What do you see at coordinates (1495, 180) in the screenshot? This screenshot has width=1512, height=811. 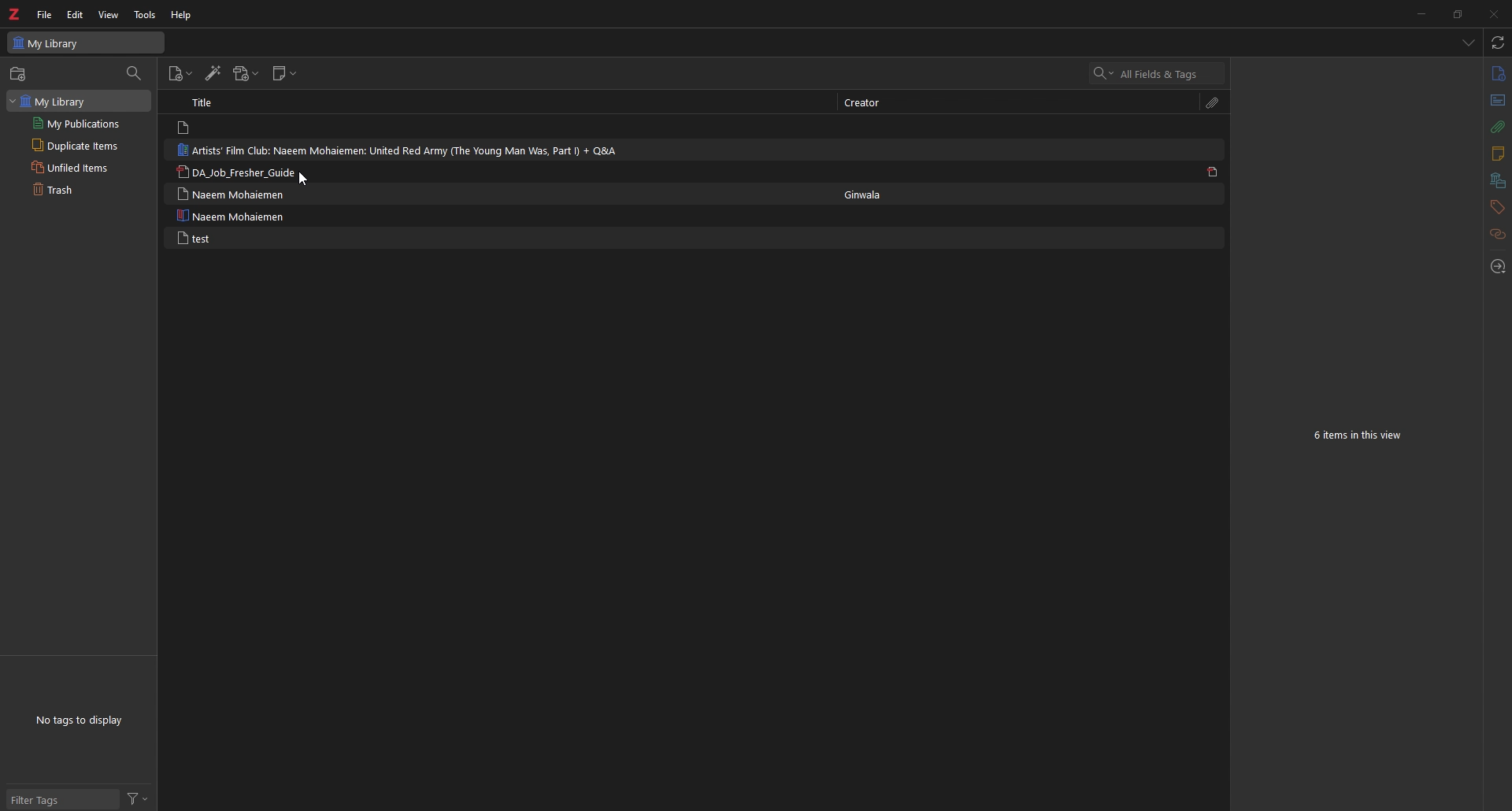 I see `libraries and collection` at bounding box center [1495, 180].